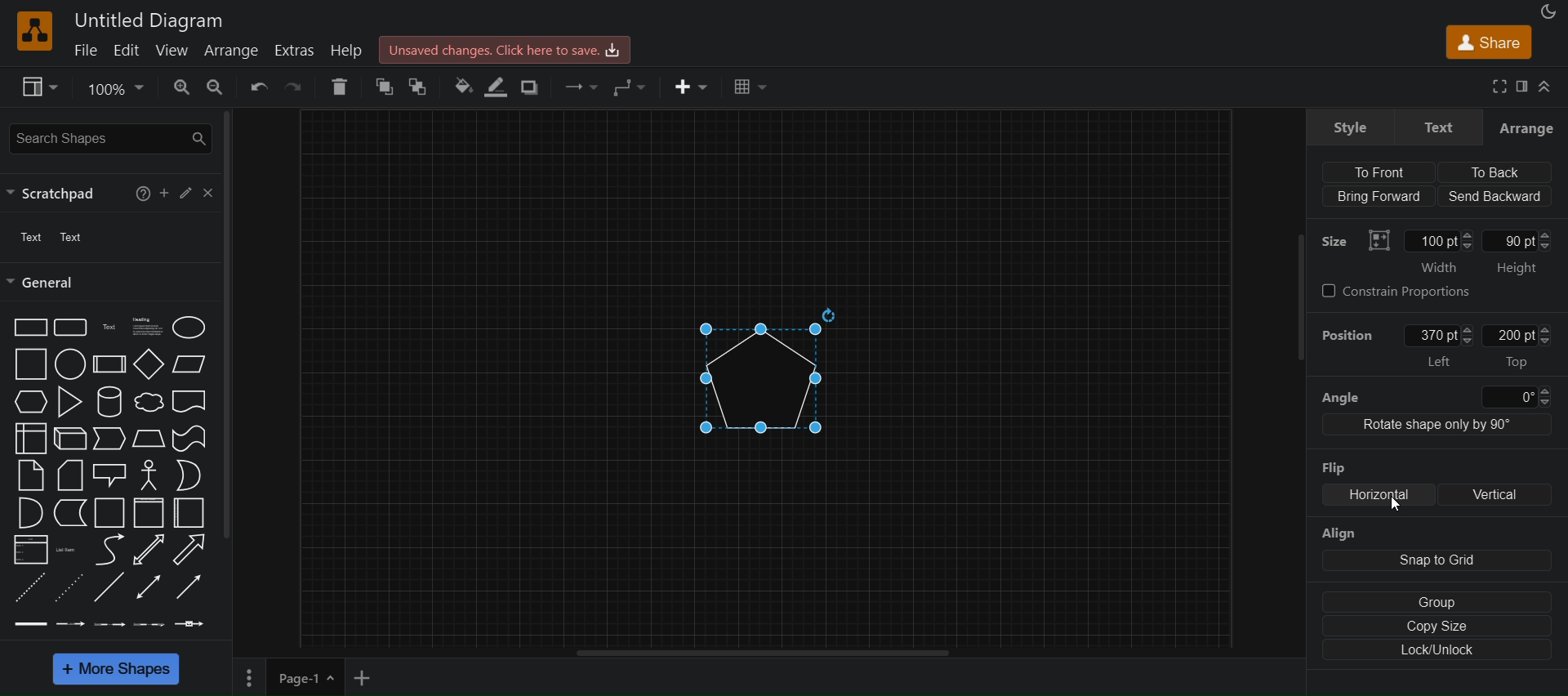 Image resolution: width=1568 pixels, height=696 pixels. I want to click on More settings, so click(249, 678).